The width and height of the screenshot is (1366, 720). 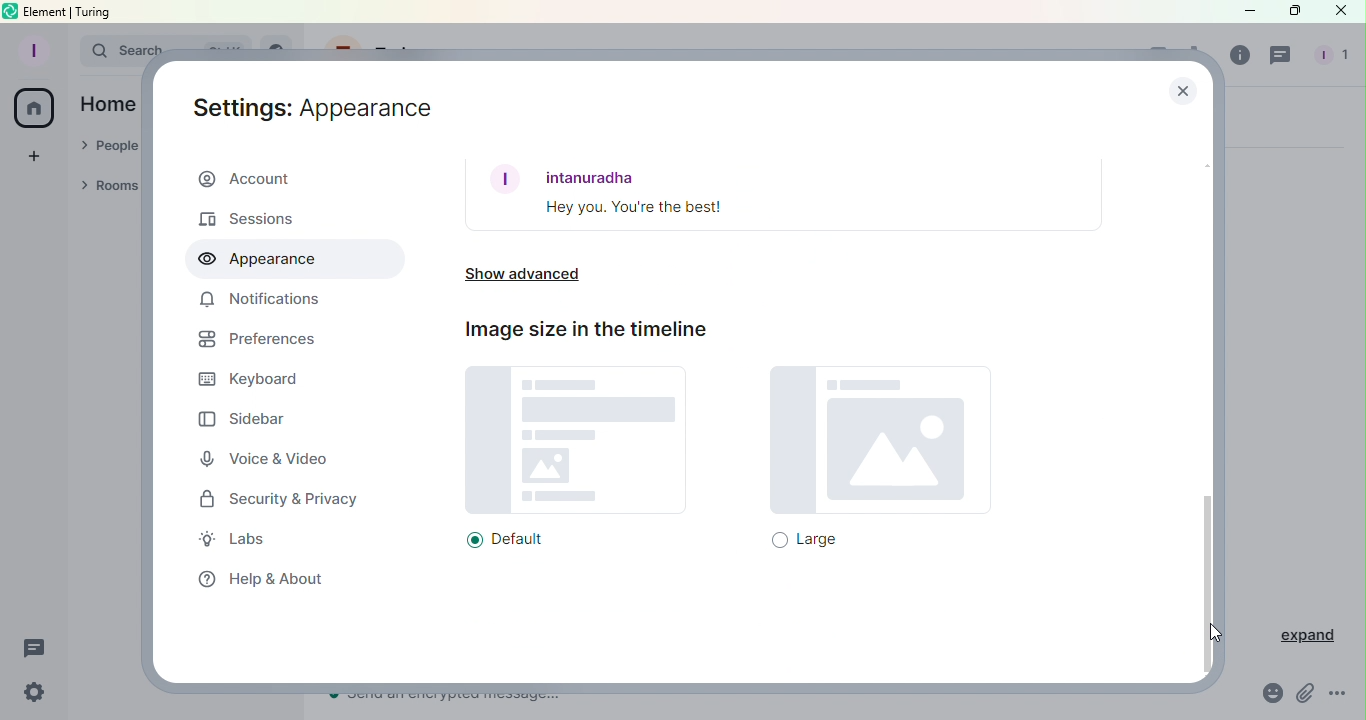 What do you see at coordinates (290, 260) in the screenshot?
I see `Appearance` at bounding box center [290, 260].